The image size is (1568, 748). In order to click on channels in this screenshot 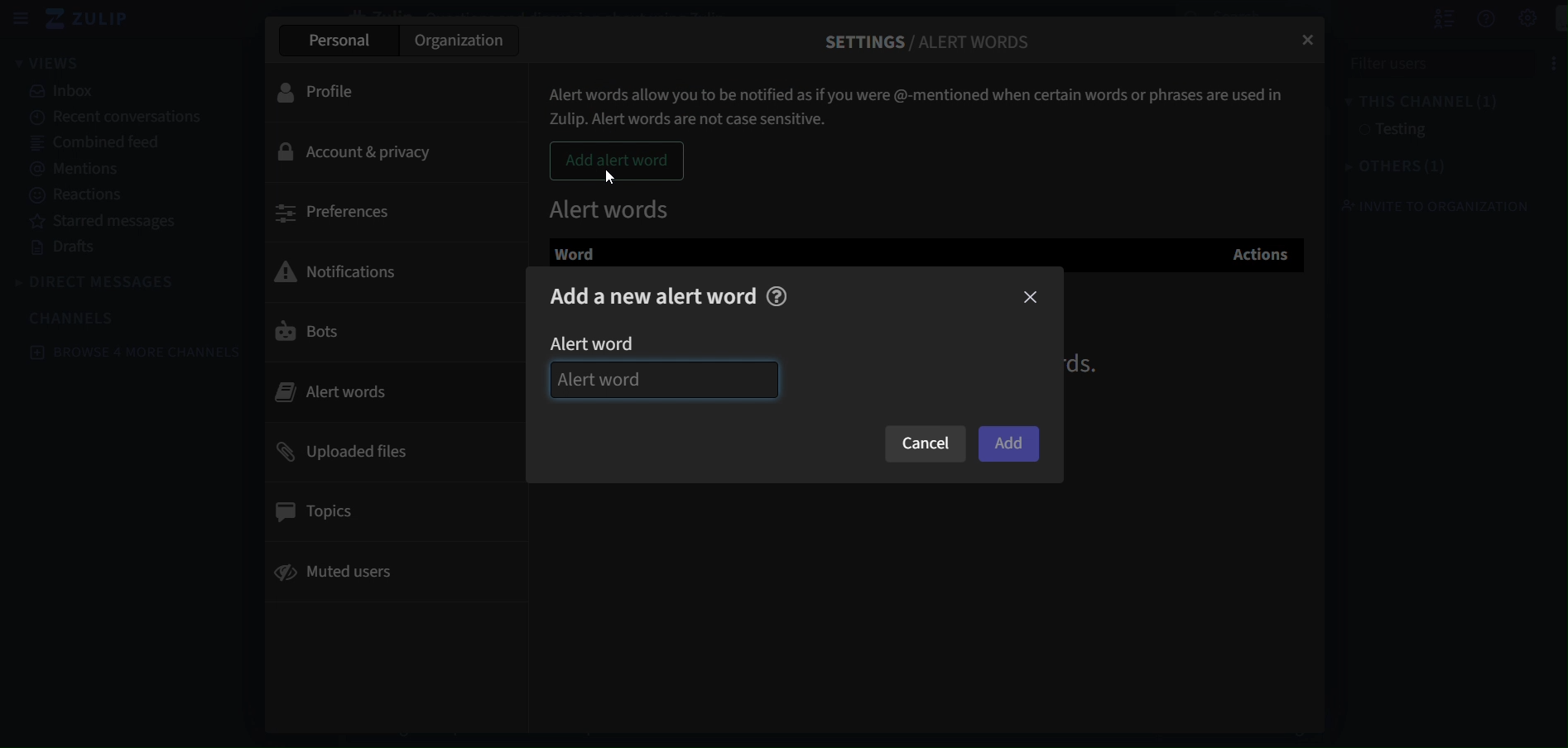, I will do `click(75, 318)`.